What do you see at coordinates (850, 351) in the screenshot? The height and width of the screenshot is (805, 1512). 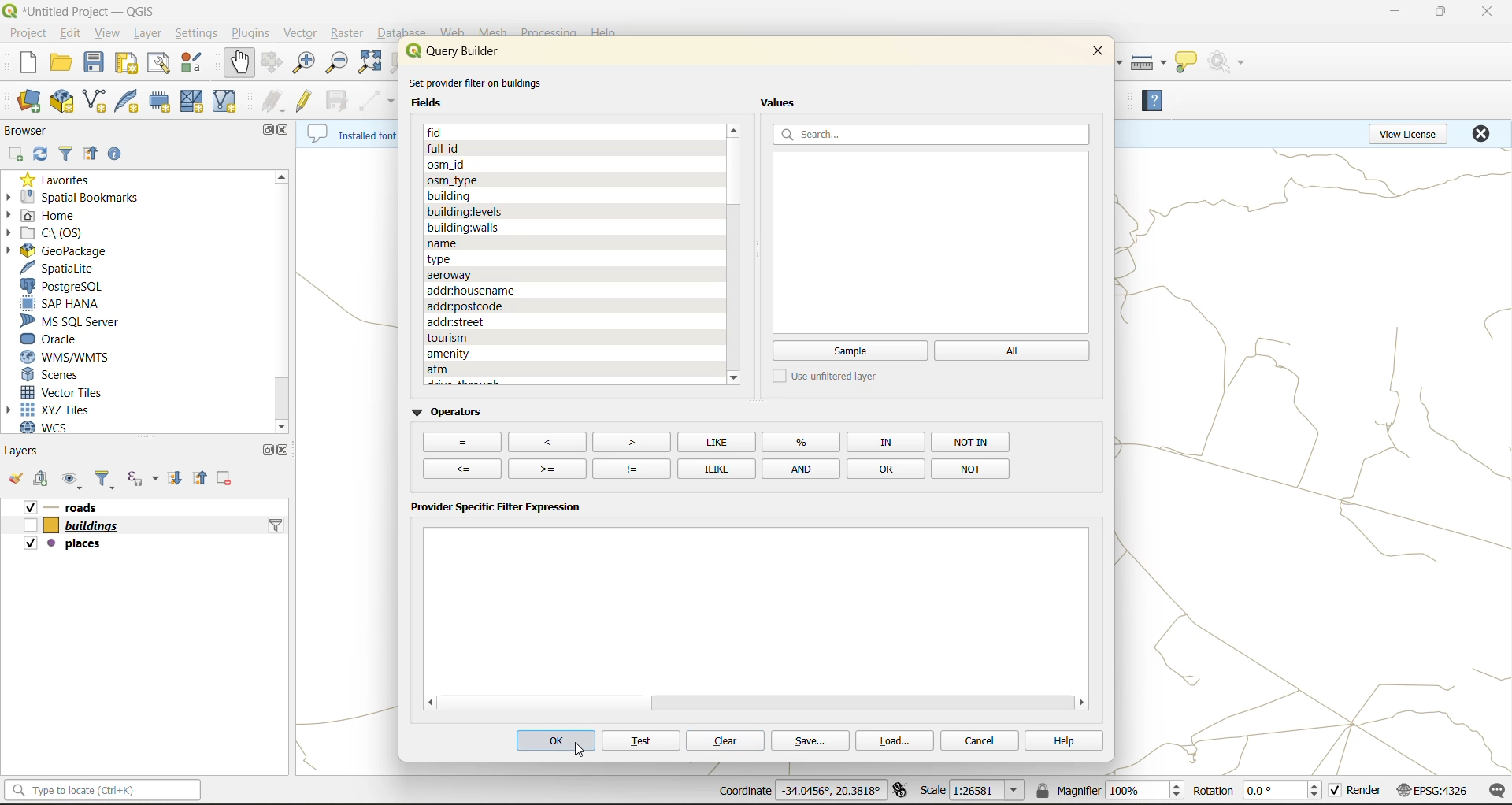 I see `sample` at bounding box center [850, 351].